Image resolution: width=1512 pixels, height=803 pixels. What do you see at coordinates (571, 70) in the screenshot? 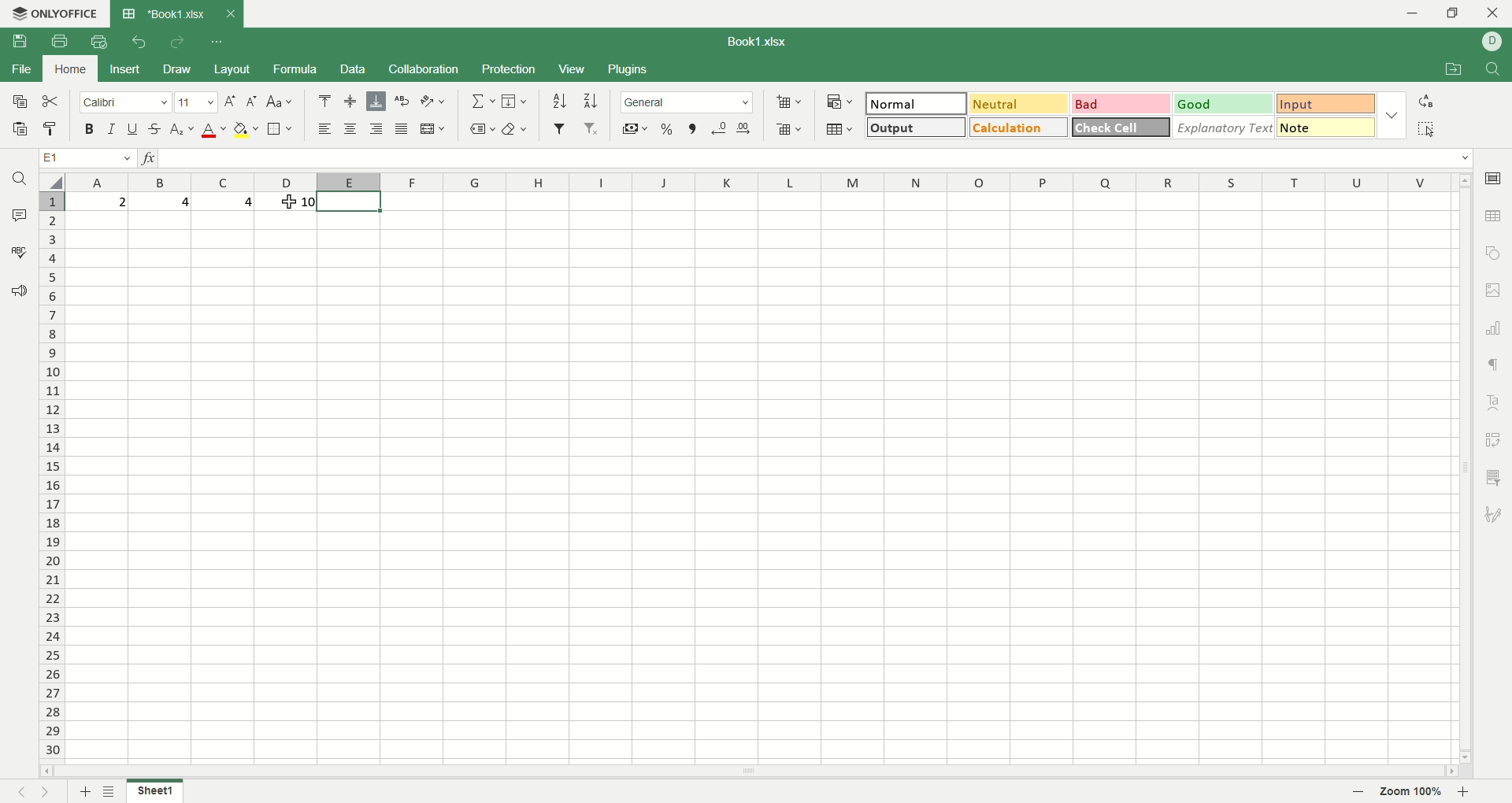
I see `view` at bounding box center [571, 70].